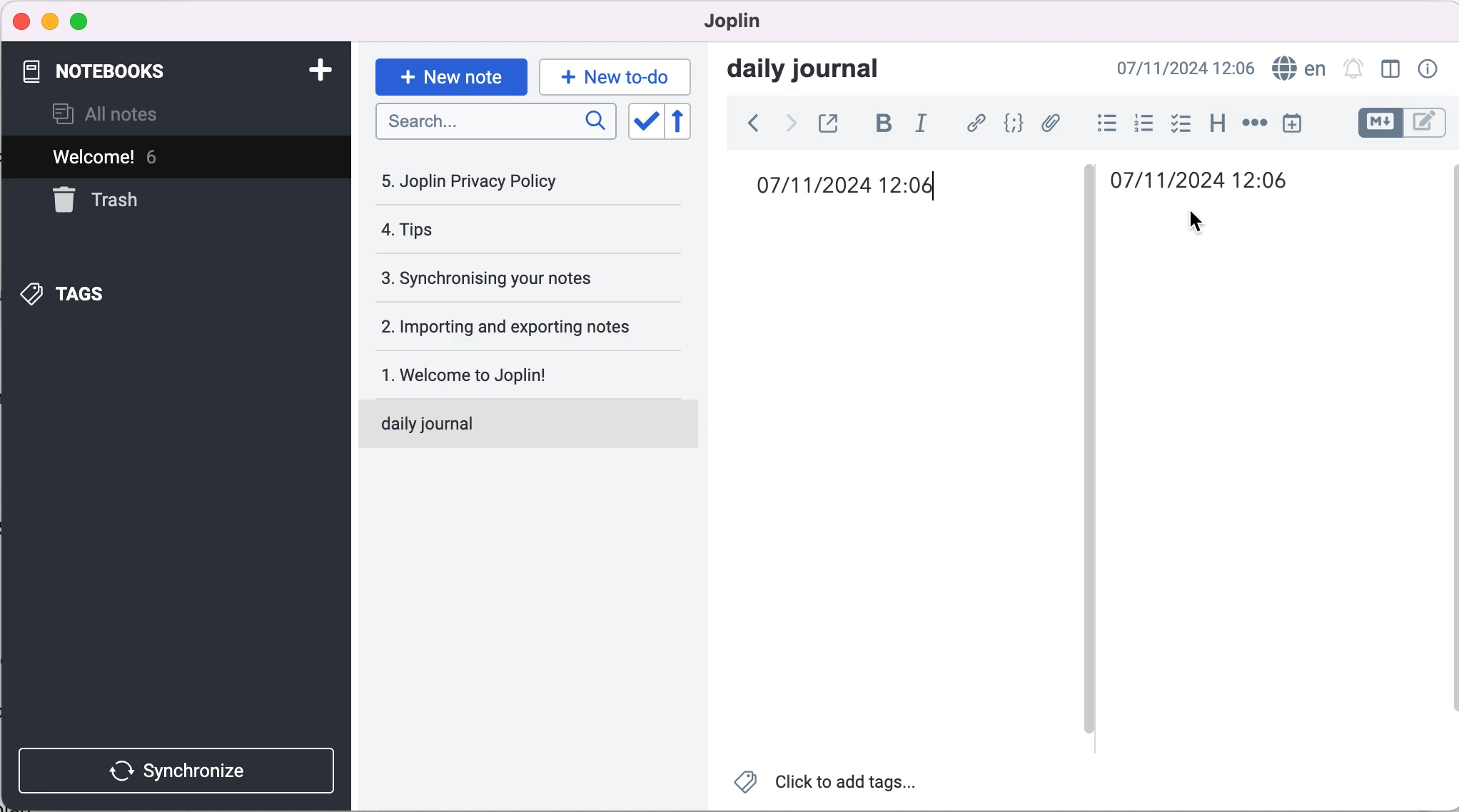 The image size is (1459, 812). Describe the element at coordinates (1101, 122) in the screenshot. I see `bulleted list` at that location.